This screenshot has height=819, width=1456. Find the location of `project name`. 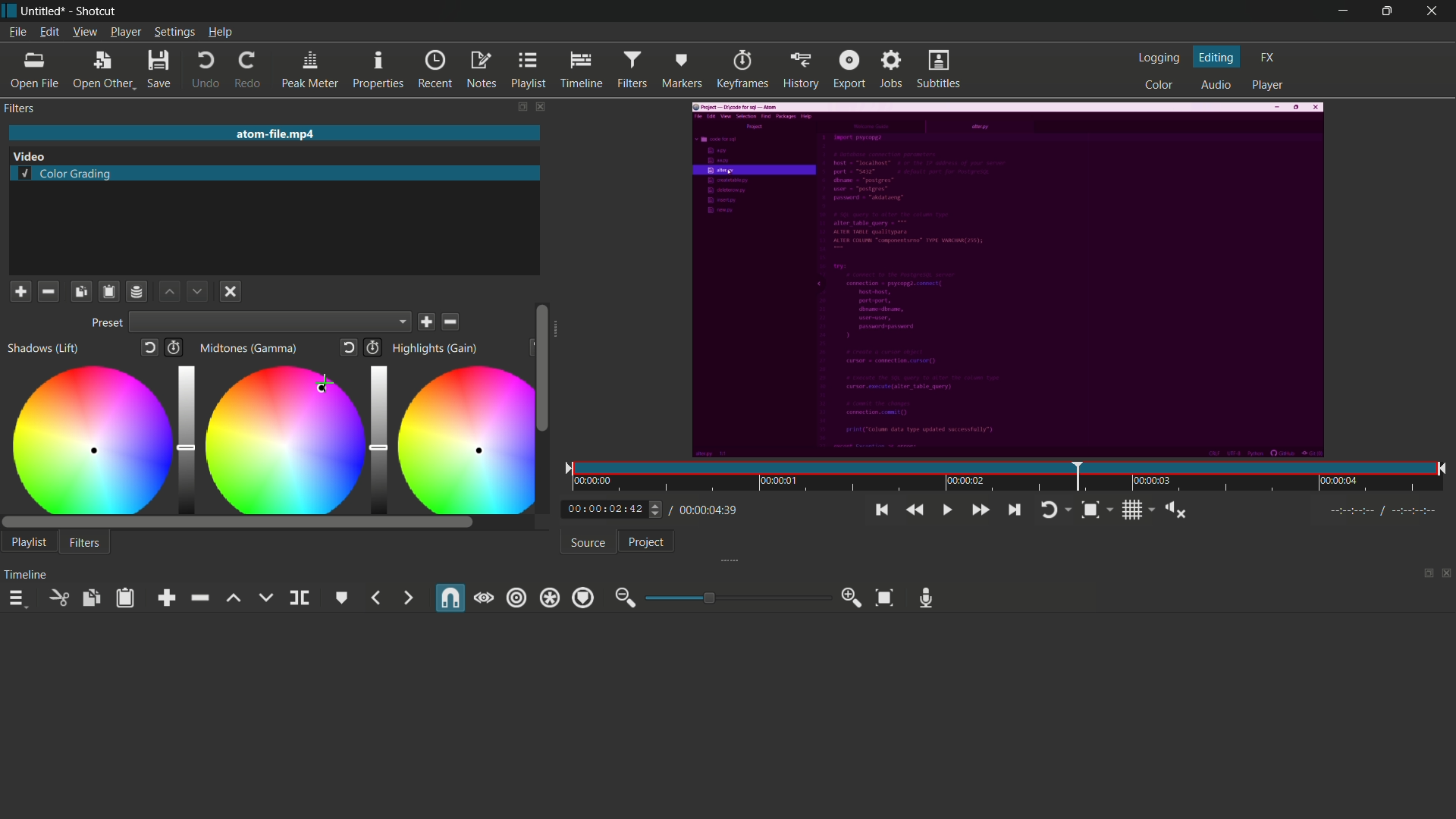

project name is located at coordinates (44, 11).